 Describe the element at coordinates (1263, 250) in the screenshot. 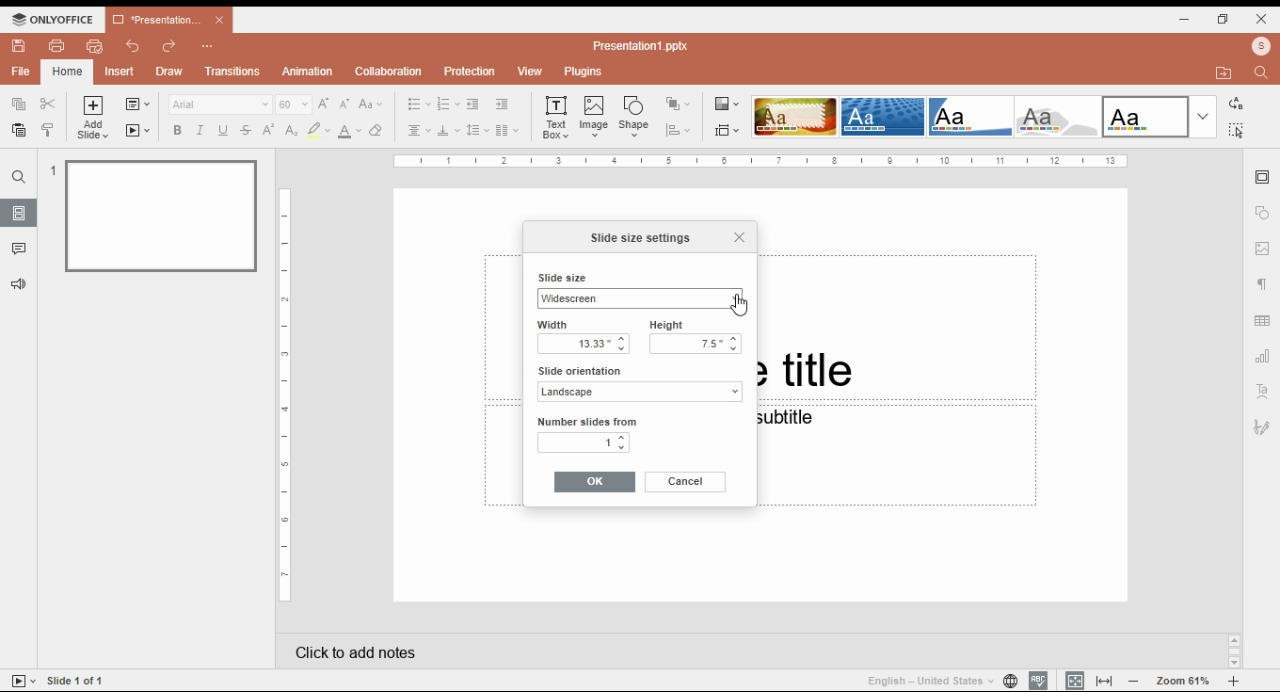

I see `image settings` at that location.